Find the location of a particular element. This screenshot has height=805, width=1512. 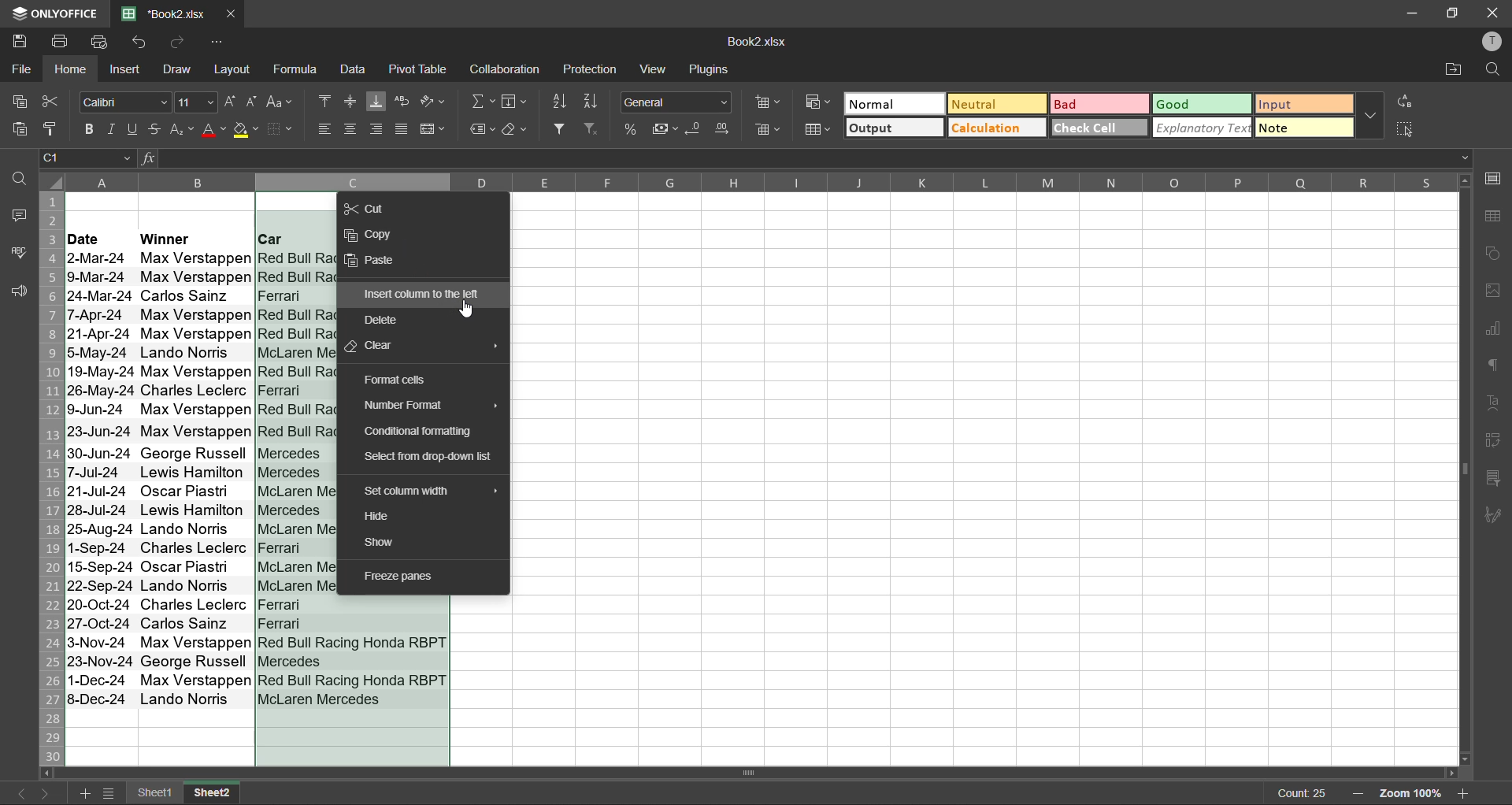

images is located at coordinates (1493, 293).